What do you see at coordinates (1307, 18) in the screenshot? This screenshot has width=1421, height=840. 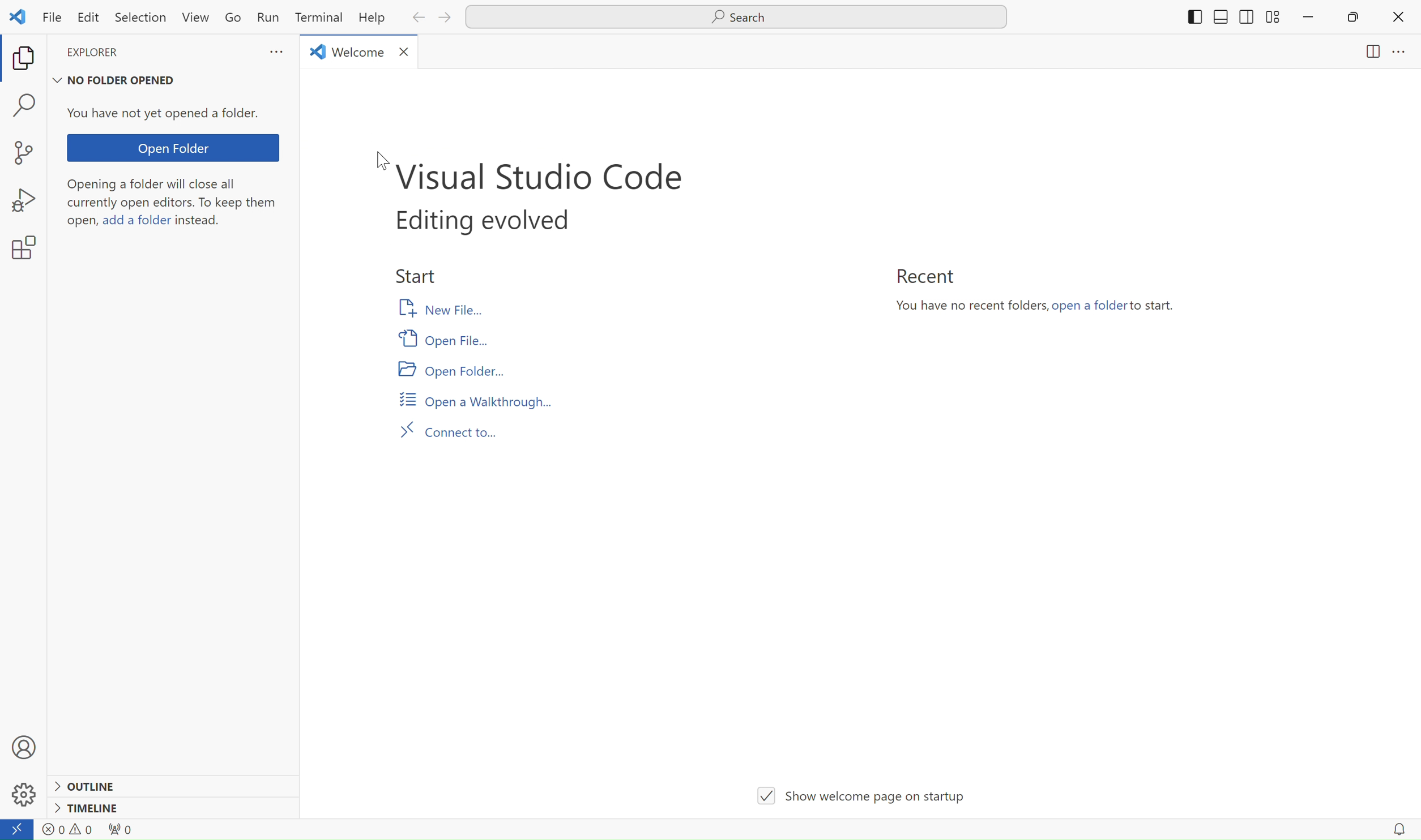 I see `minimize` at bounding box center [1307, 18].